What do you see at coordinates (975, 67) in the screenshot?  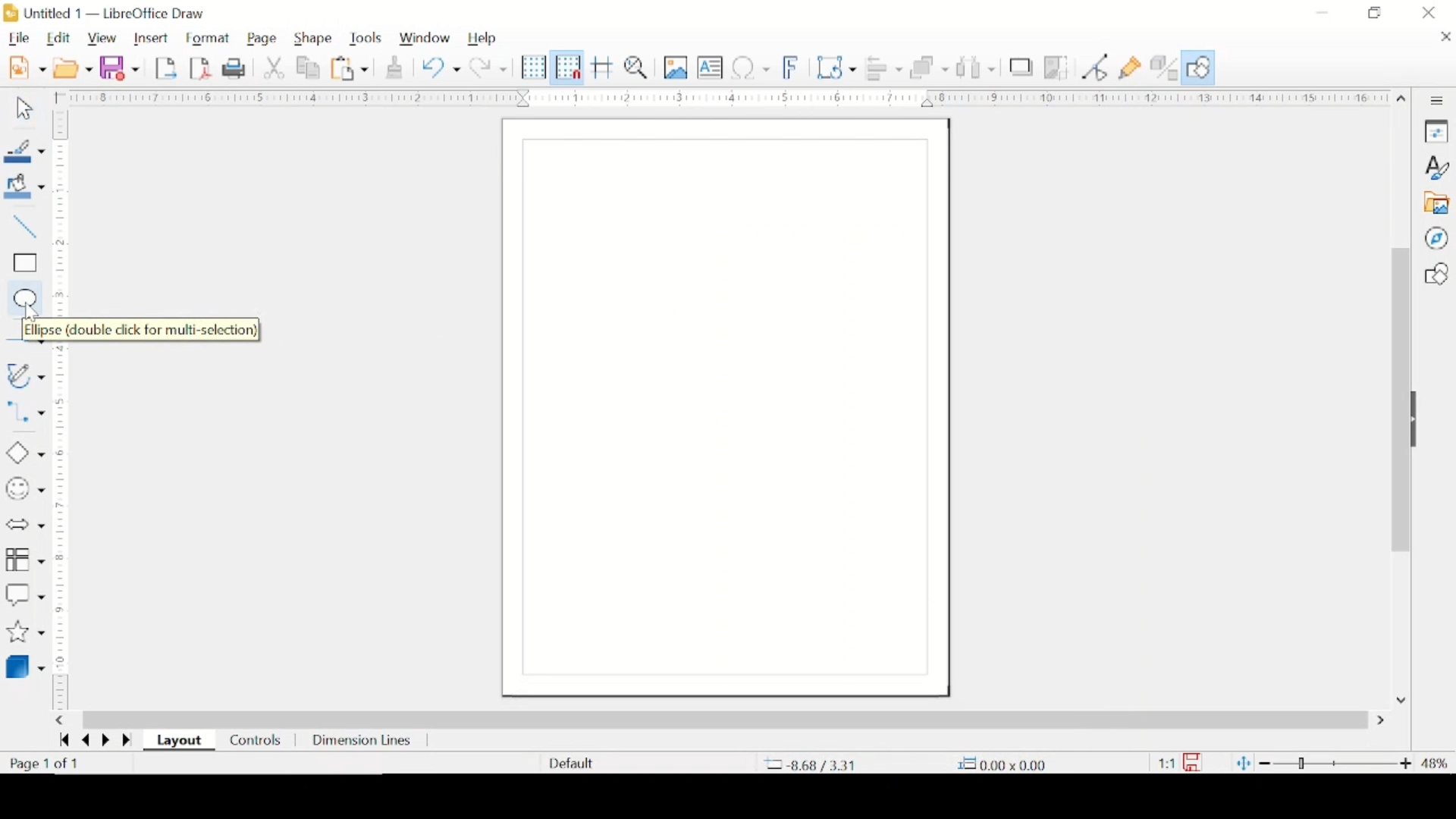 I see `select at least three objects to distribute` at bounding box center [975, 67].